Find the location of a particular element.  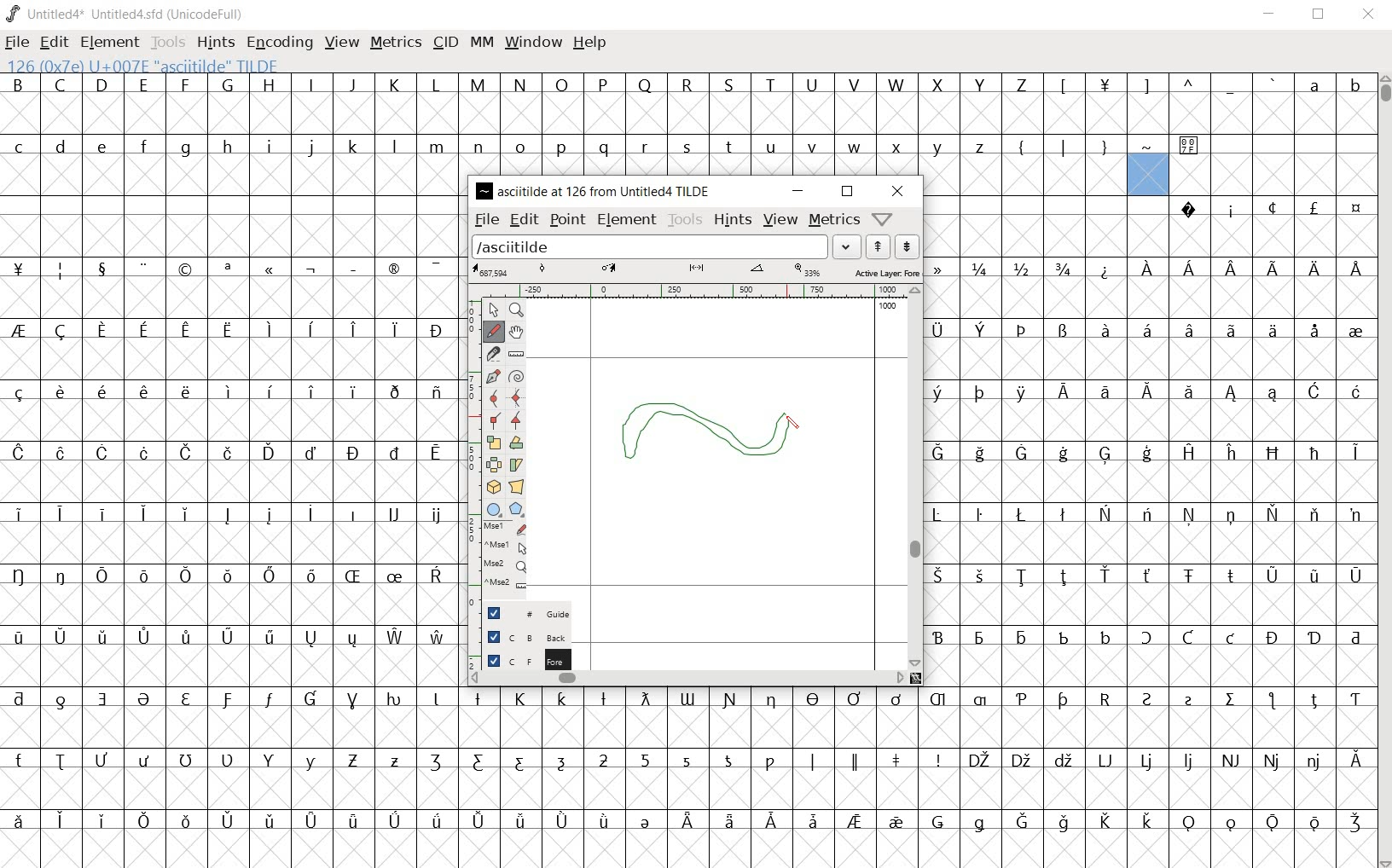

restore is located at coordinates (848, 192).